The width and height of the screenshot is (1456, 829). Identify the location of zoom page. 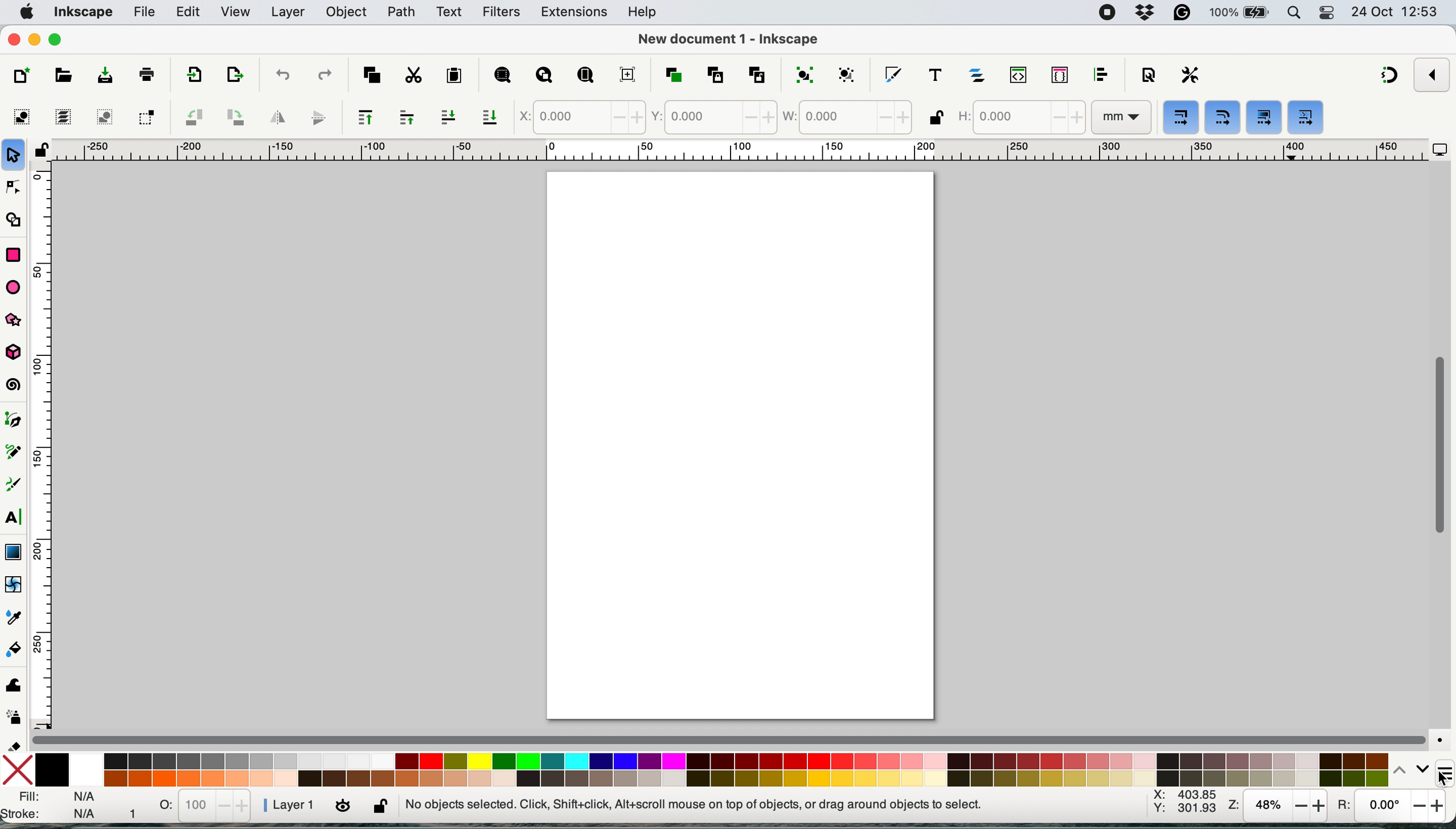
(583, 75).